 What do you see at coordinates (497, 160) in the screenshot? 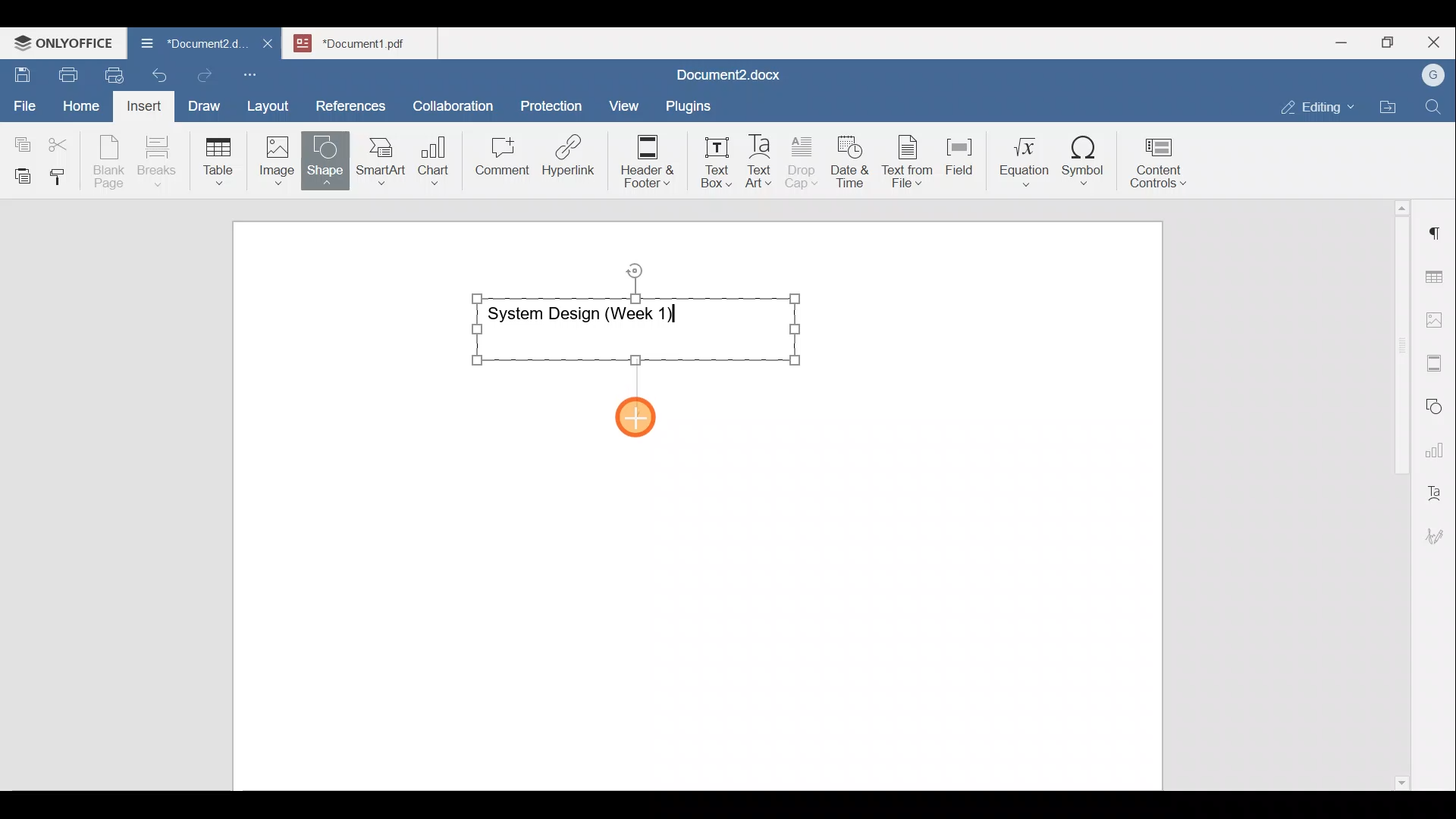
I see `Comment` at bounding box center [497, 160].